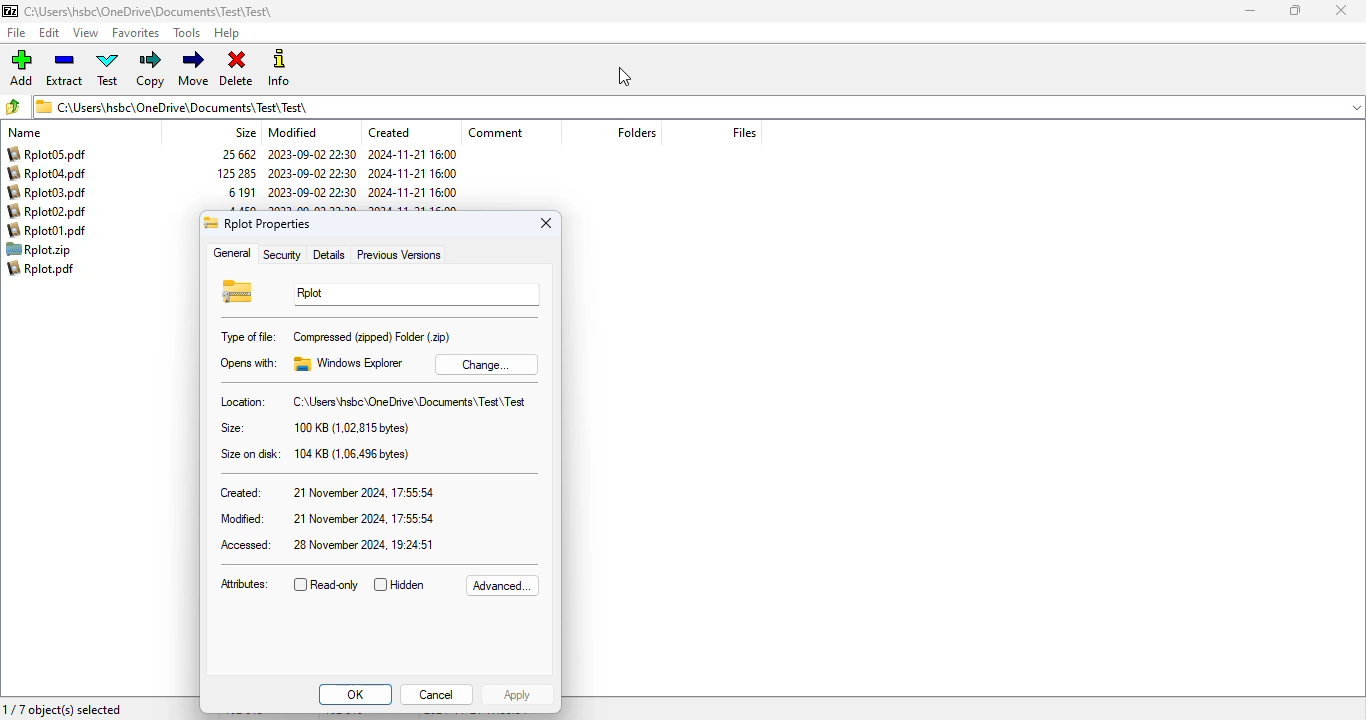 This screenshot has height=720, width=1366. Describe the element at coordinates (13, 106) in the screenshot. I see `browse folders` at that location.